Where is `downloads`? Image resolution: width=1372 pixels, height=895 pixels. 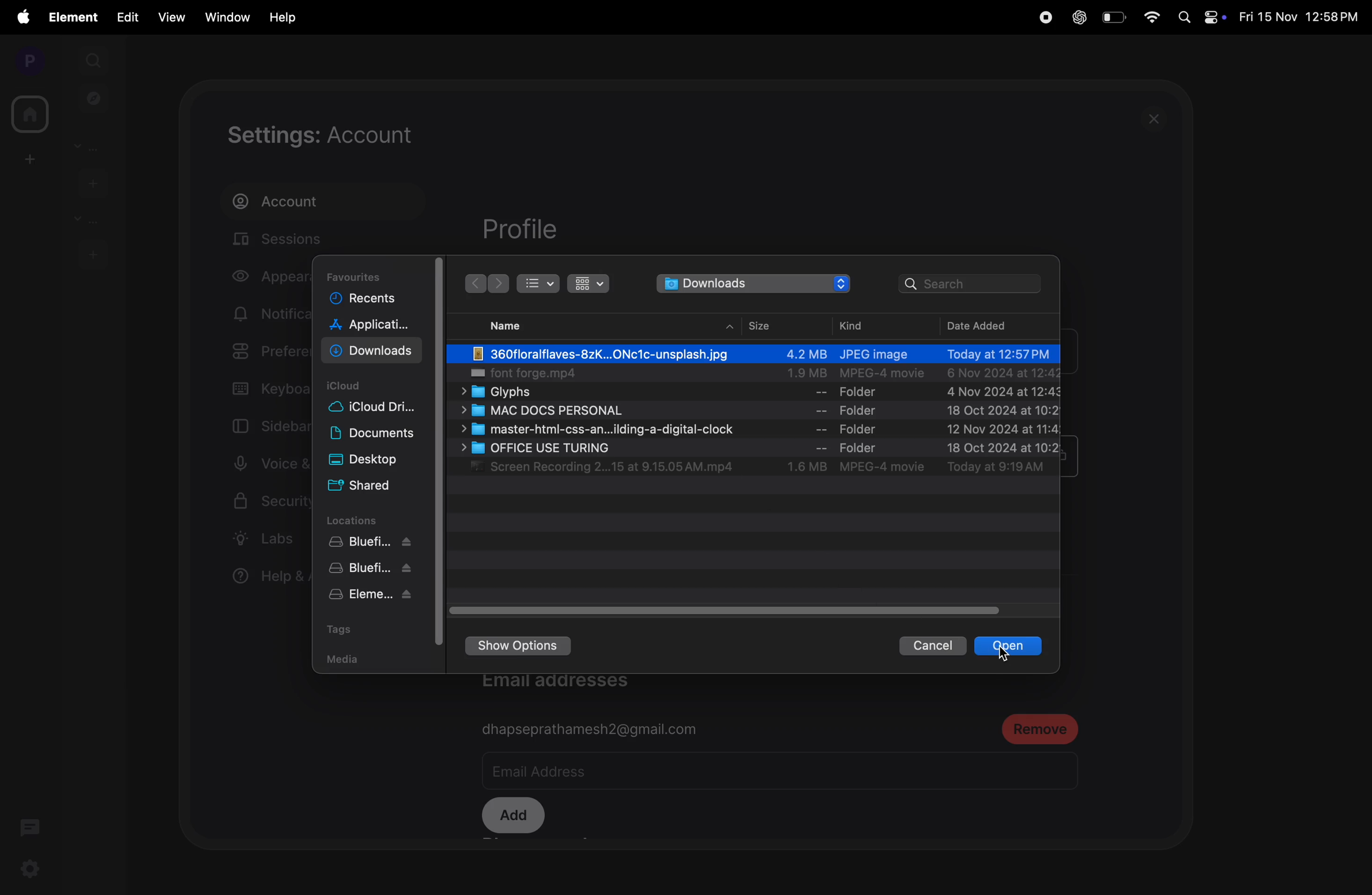 downloads is located at coordinates (752, 283).